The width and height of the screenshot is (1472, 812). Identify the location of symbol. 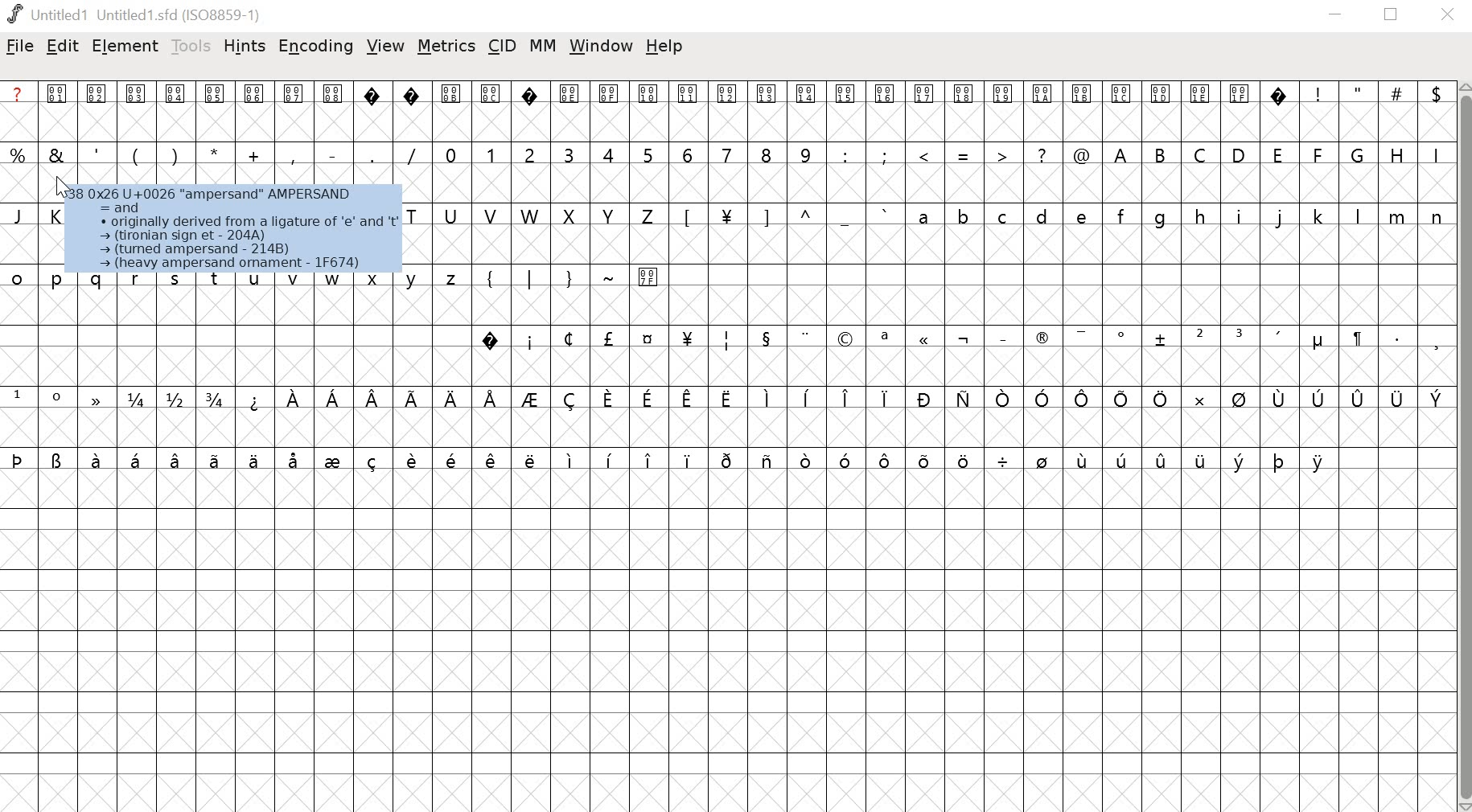
(1321, 398).